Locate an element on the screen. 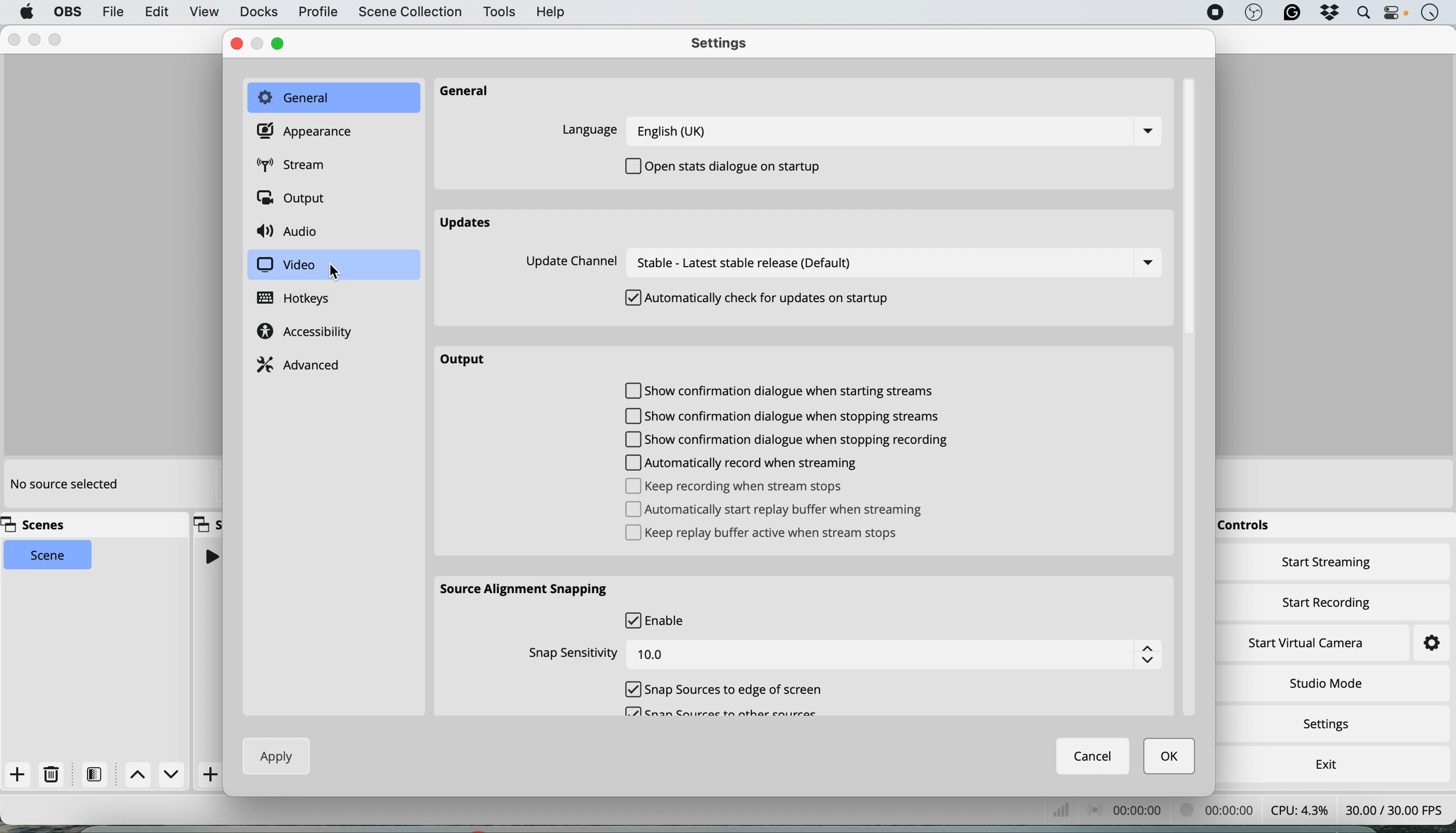 The height and width of the screenshot is (833, 1456). hotkeys is located at coordinates (303, 299).